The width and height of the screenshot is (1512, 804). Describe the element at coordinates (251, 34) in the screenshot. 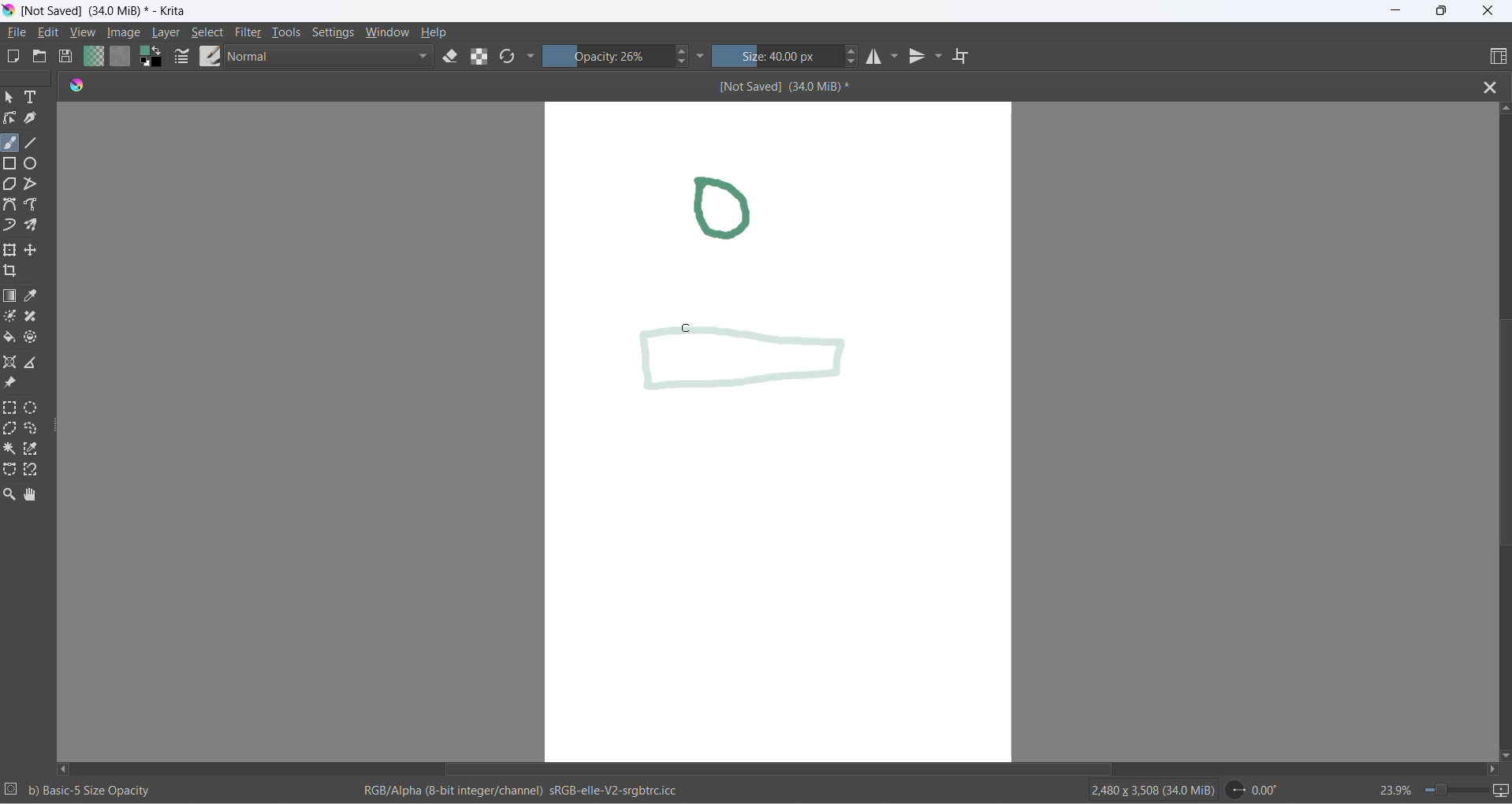

I see `filters` at that location.